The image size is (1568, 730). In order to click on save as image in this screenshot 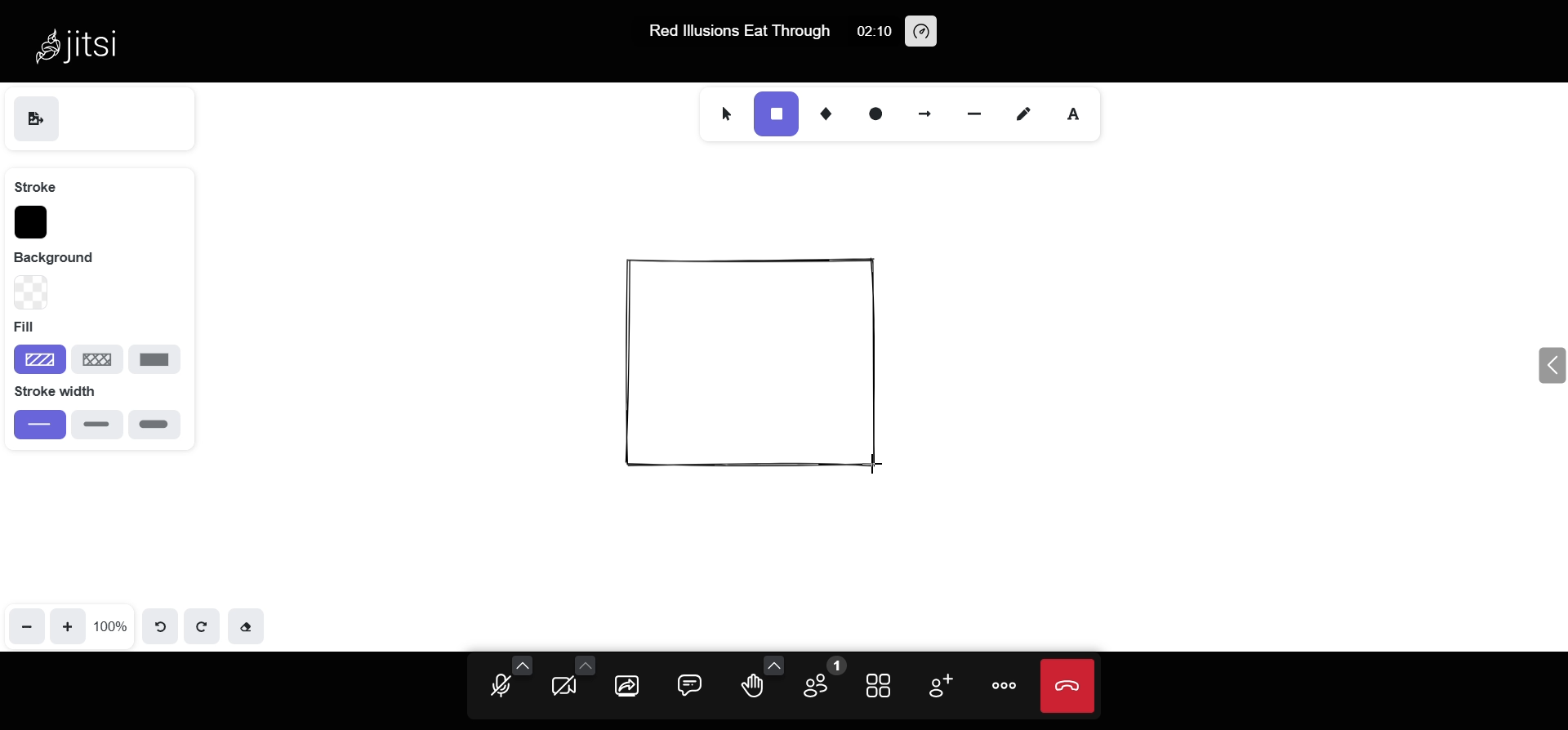, I will do `click(40, 119)`.